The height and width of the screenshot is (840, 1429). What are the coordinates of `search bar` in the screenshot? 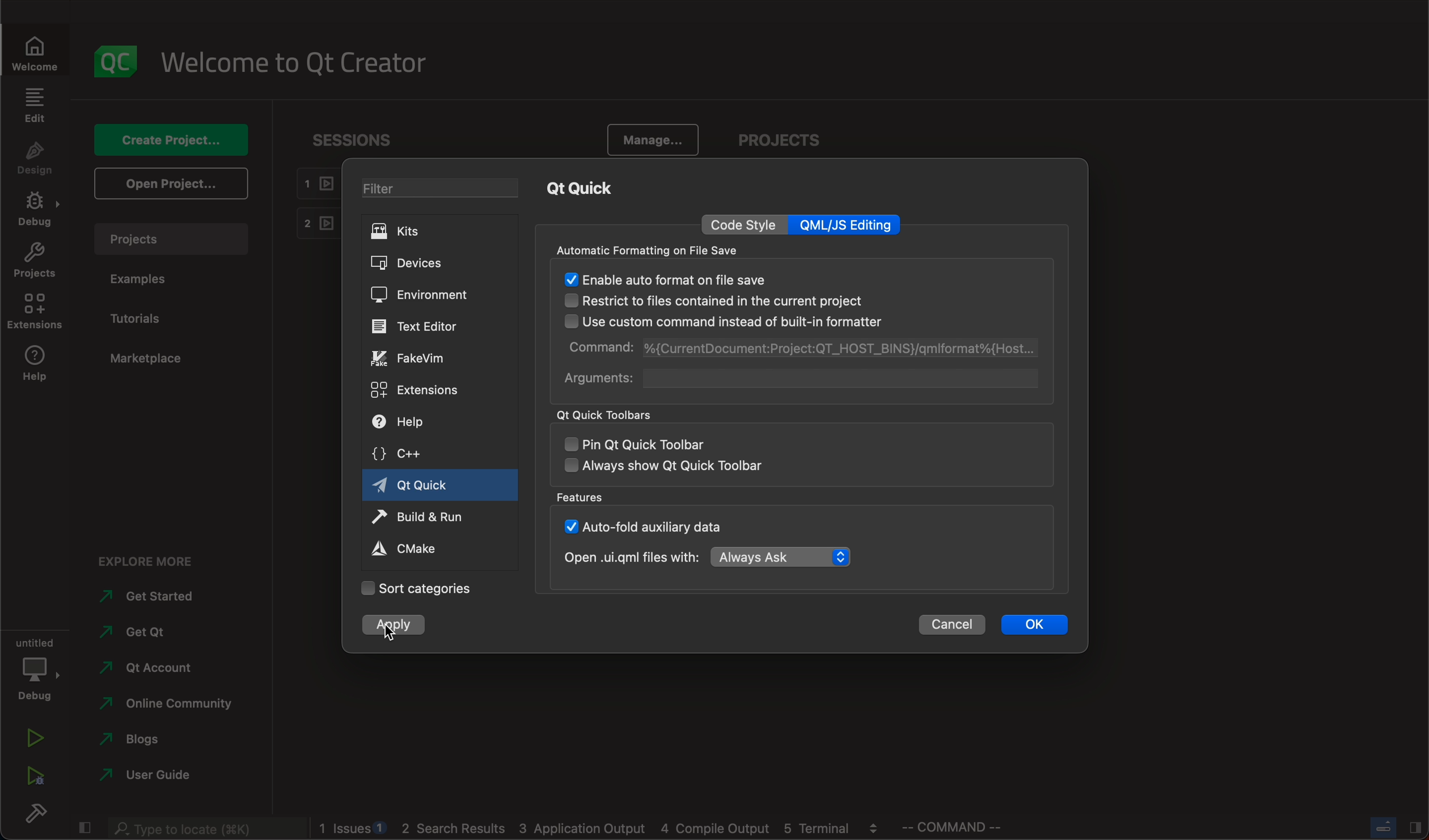 It's located at (206, 829).